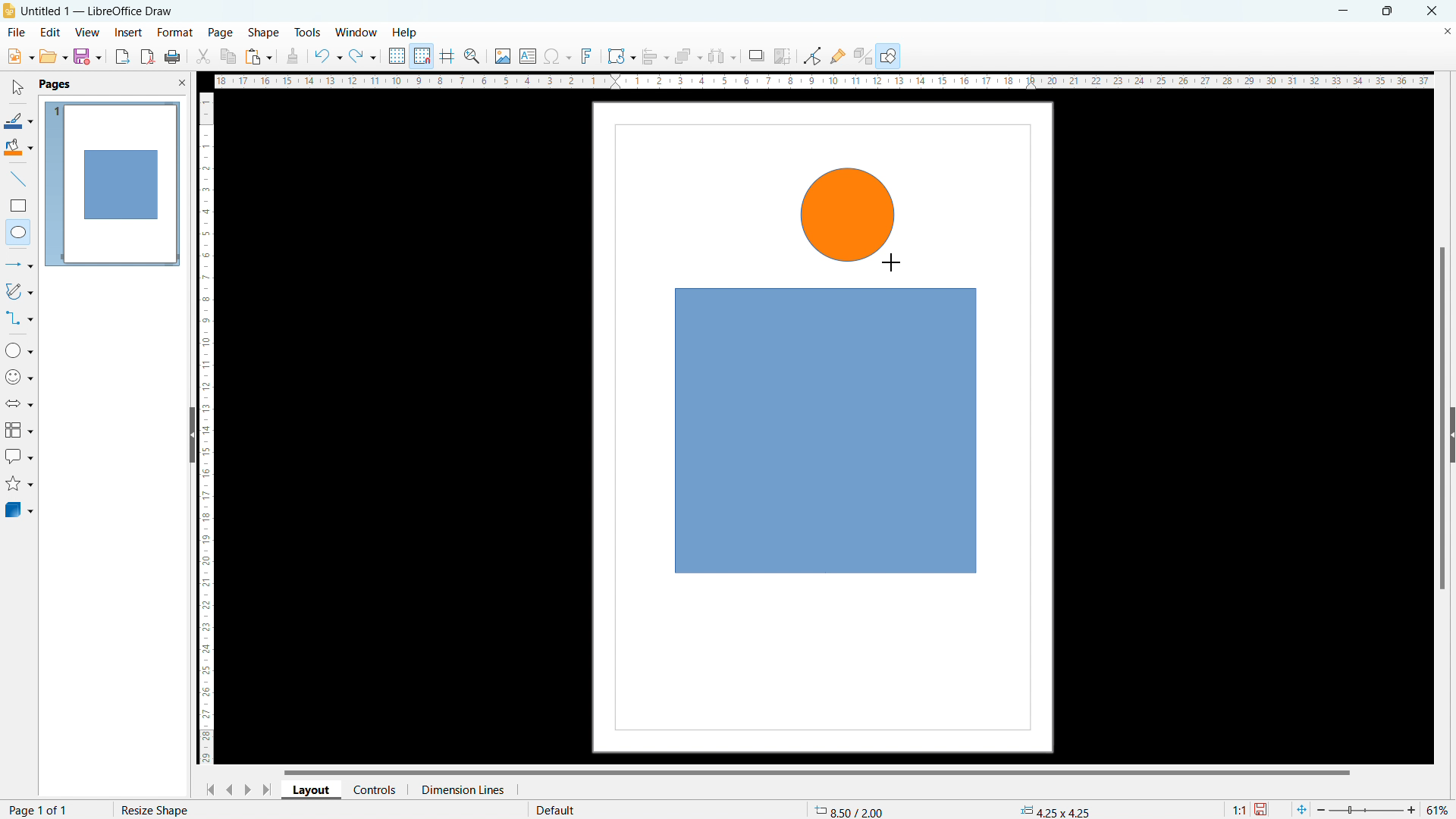 This screenshot has width=1456, height=819. I want to click on zoom and pan, so click(472, 58).